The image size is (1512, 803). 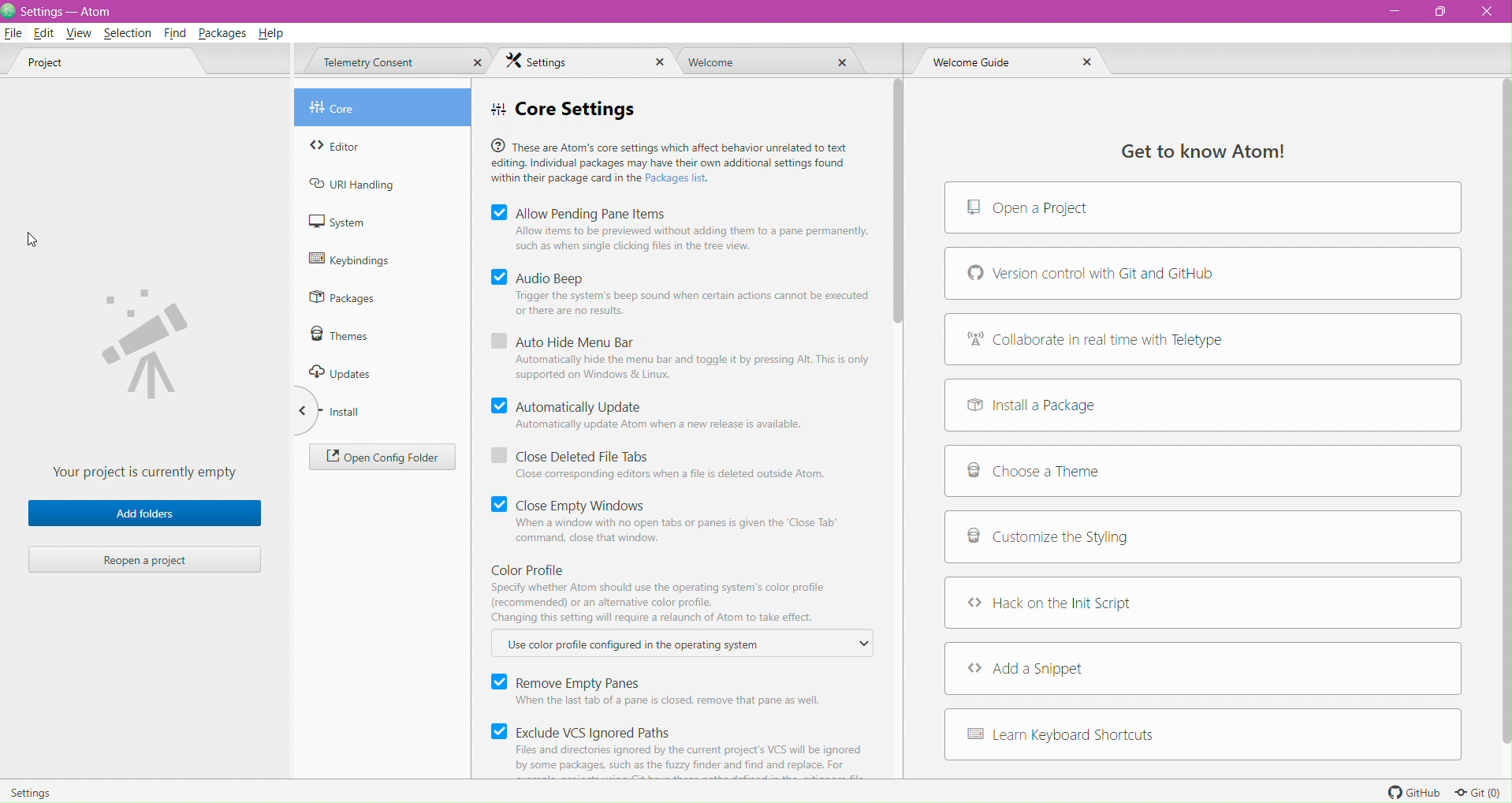 What do you see at coordinates (658, 593) in the screenshot?
I see `Color Profile | Specify whether Atom should use the operating system's color profile (recommended) or an alternative color profile. Changing this setting will require a relaunch of Atom to take effect.` at bounding box center [658, 593].